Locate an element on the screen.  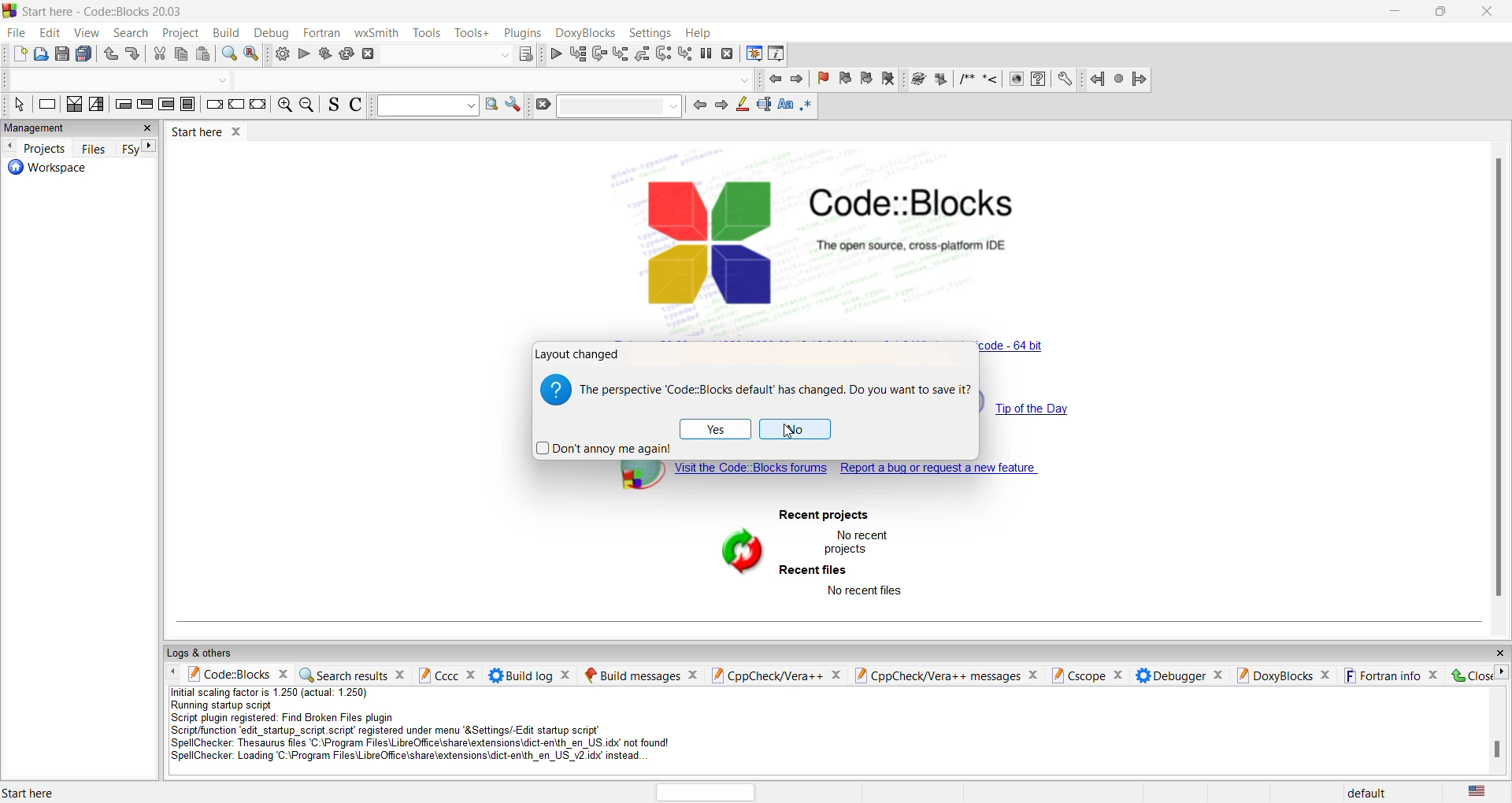
step out is located at coordinates (618, 54).